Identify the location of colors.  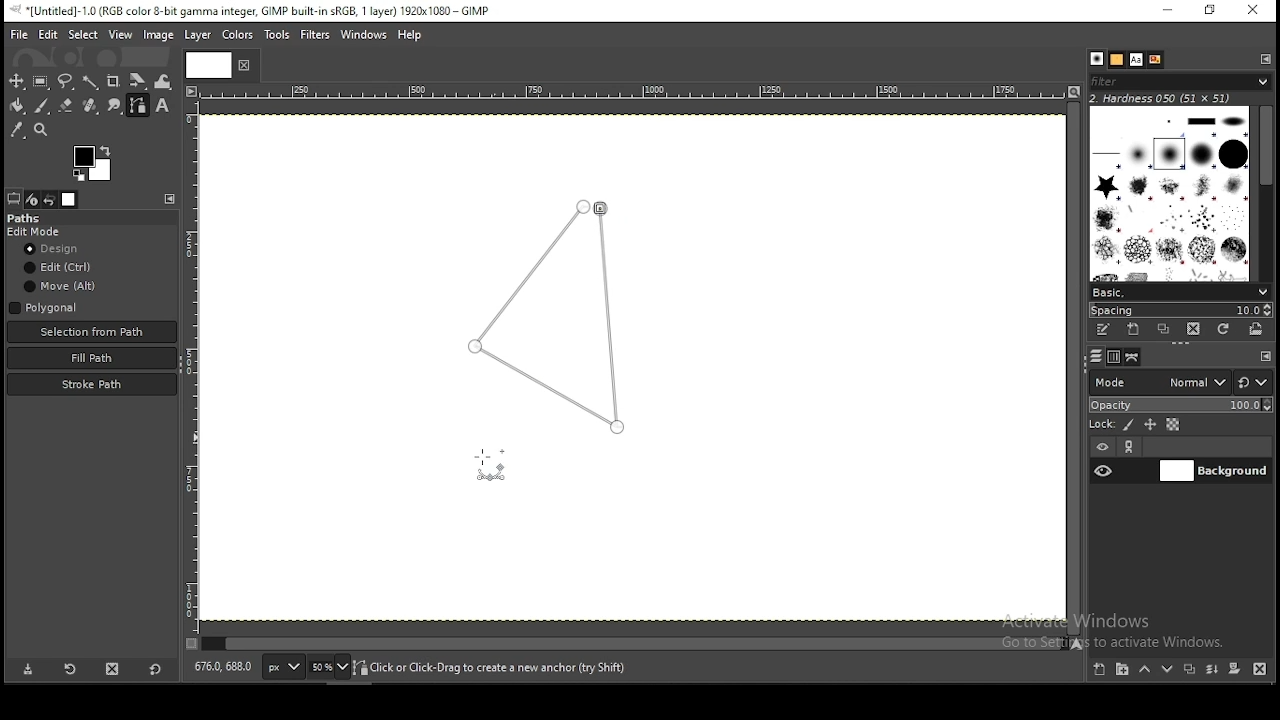
(238, 33).